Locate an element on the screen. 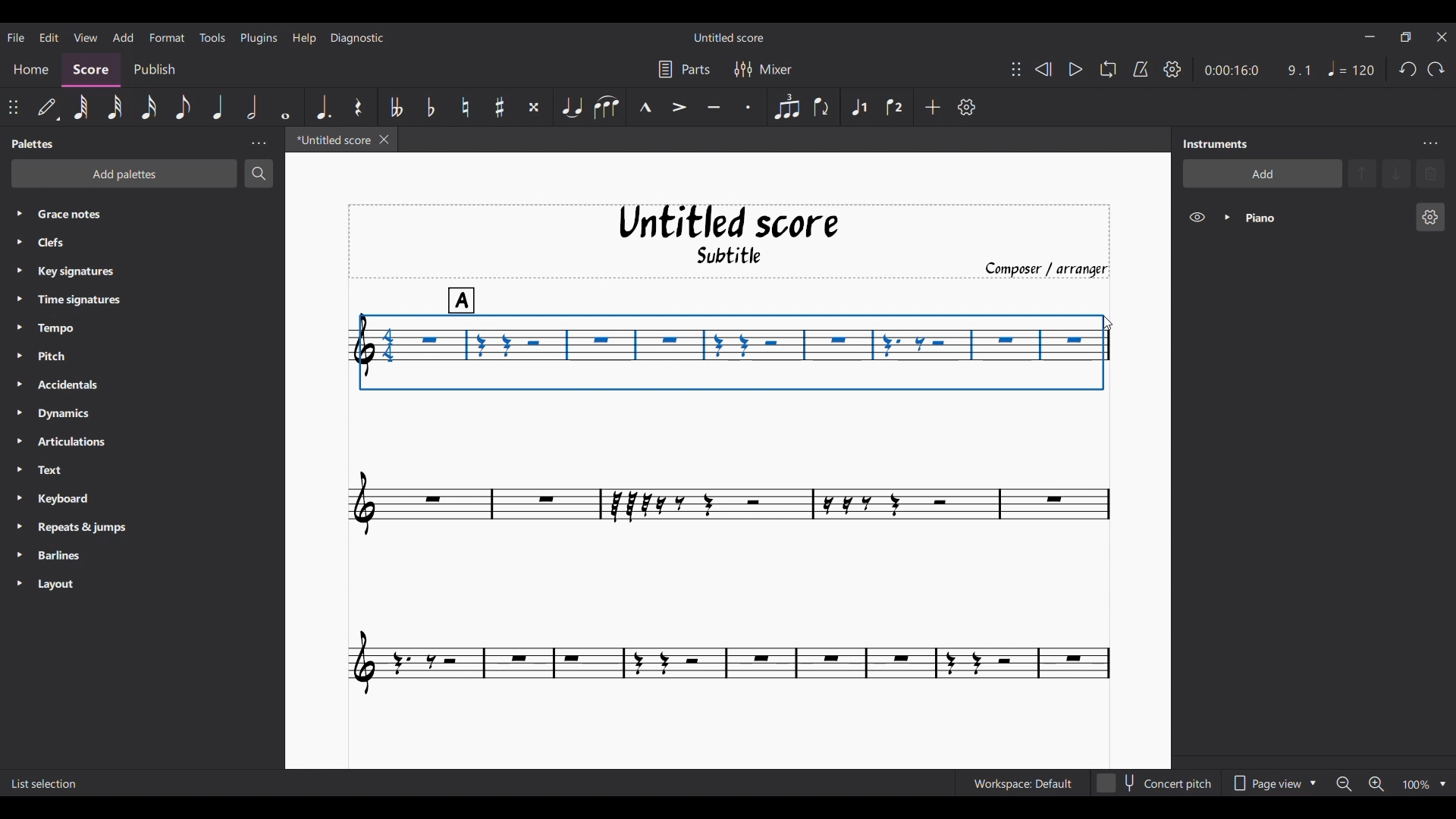  Format menu is located at coordinates (167, 36).